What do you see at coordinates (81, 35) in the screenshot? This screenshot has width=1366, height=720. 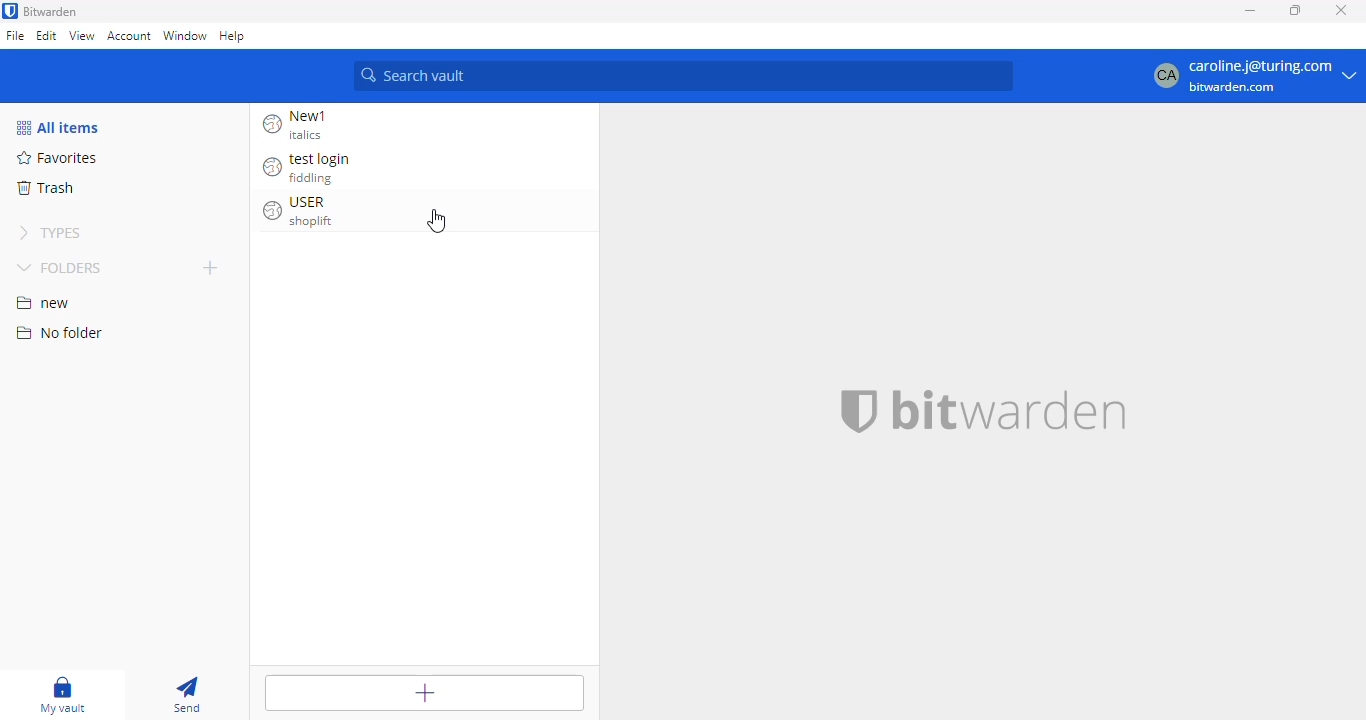 I see `view` at bounding box center [81, 35].